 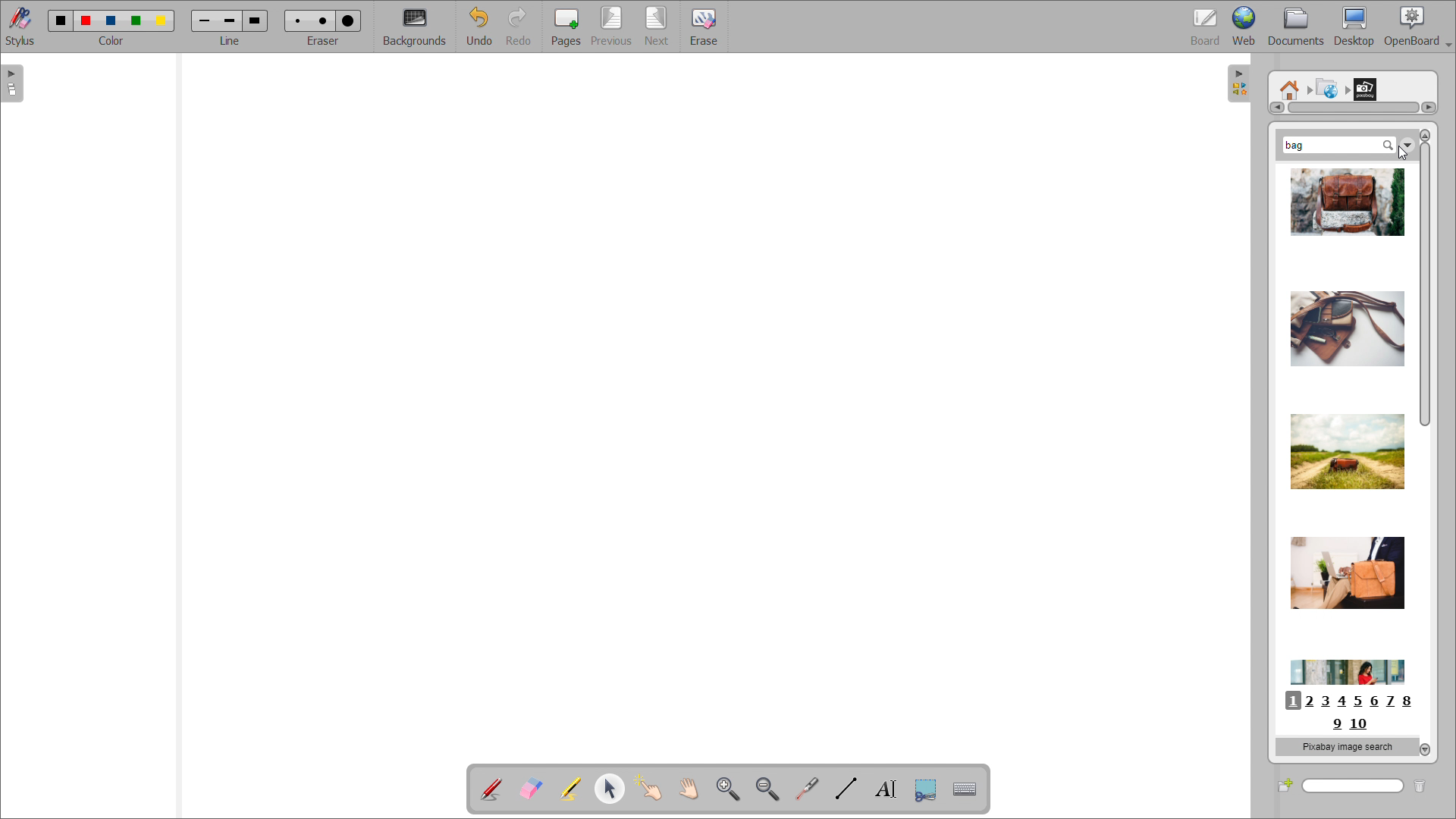 What do you see at coordinates (416, 27) in the screenshot?
I see `backgrounds` at bounding box center [416, 27].